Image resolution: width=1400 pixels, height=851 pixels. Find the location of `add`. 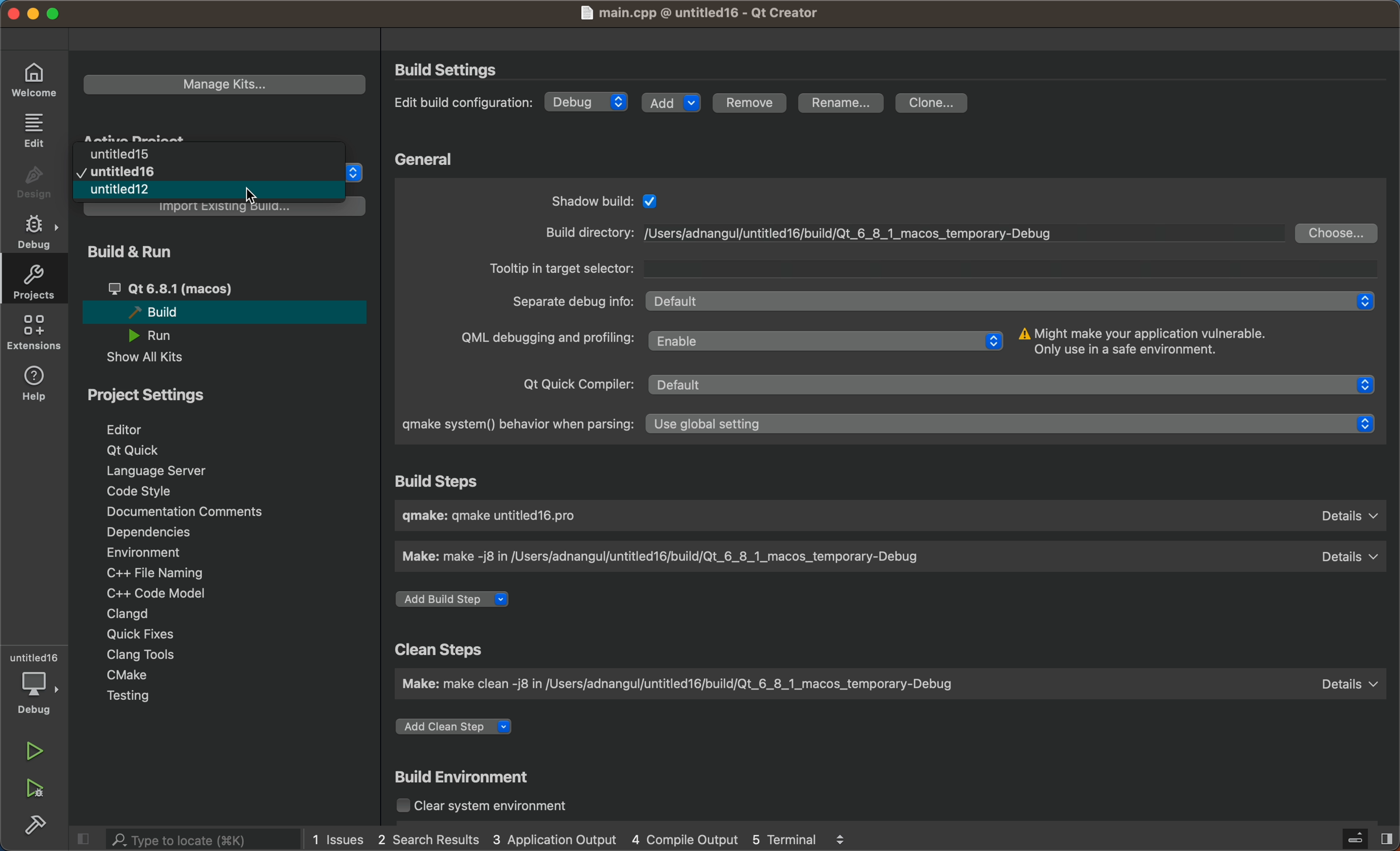

add is located at coordinates (672, 105).